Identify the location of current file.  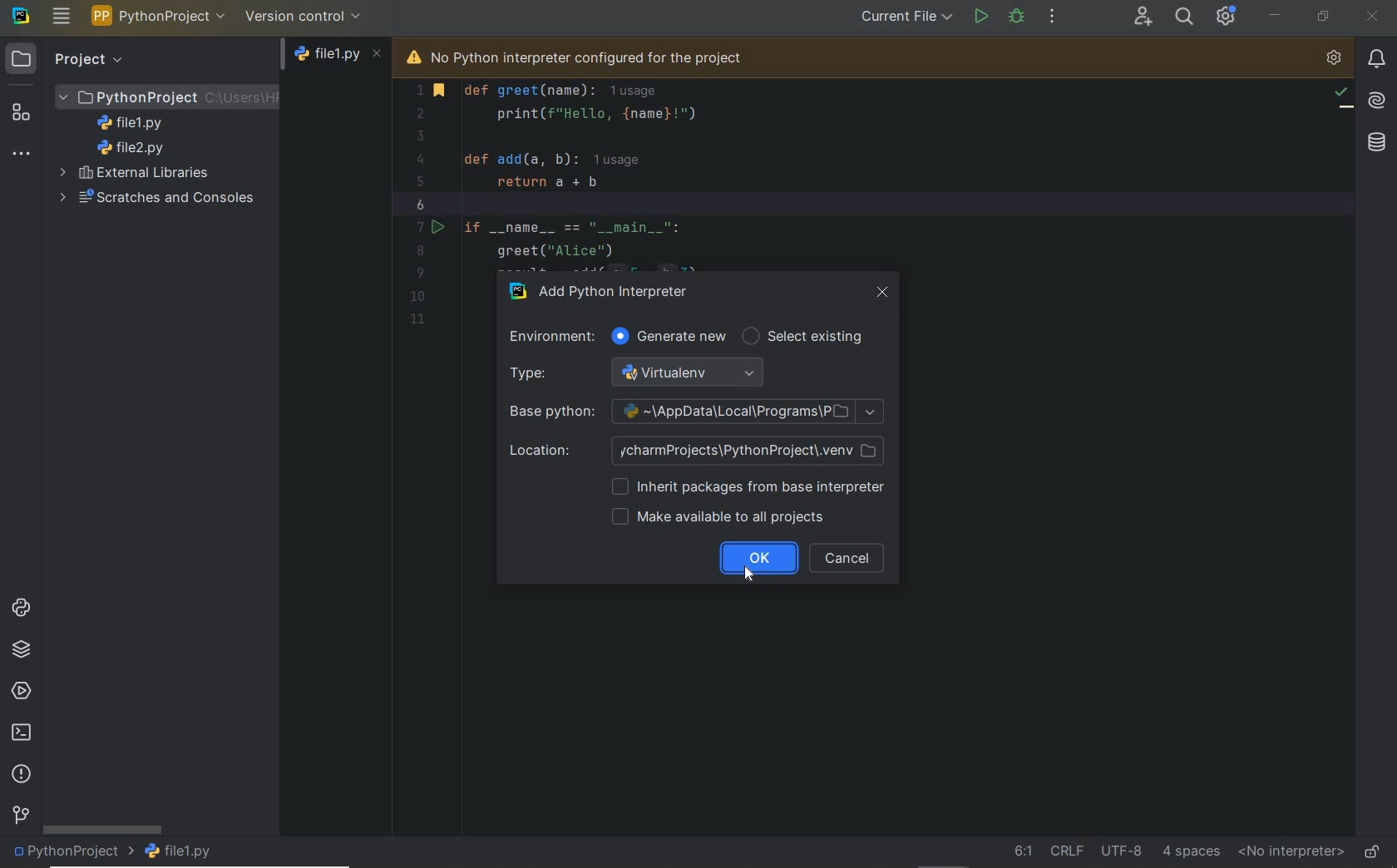
(906, 17).